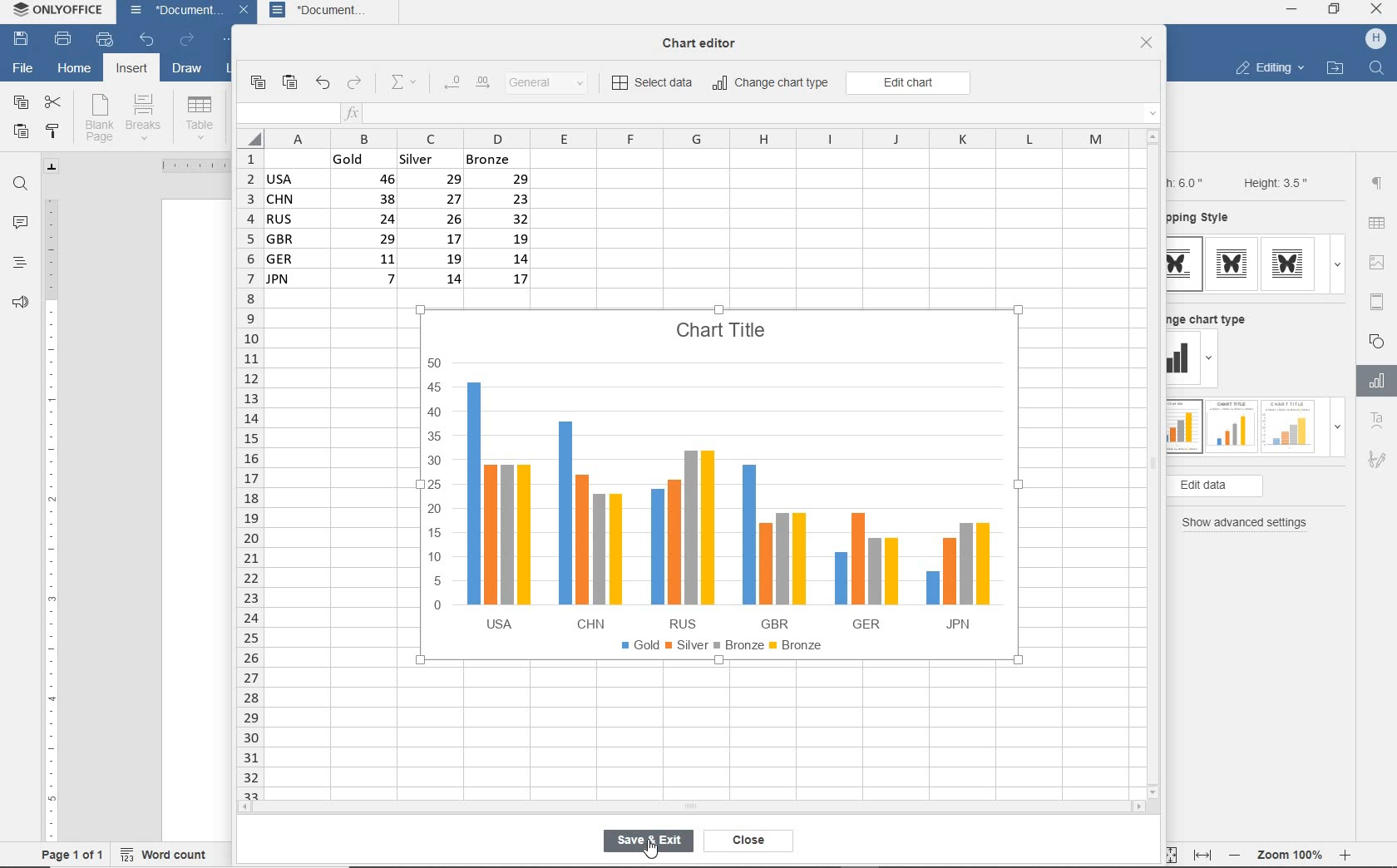 The height and width of the screenshot is (868, 1397). I want to click on editing, so click(1269, 70).